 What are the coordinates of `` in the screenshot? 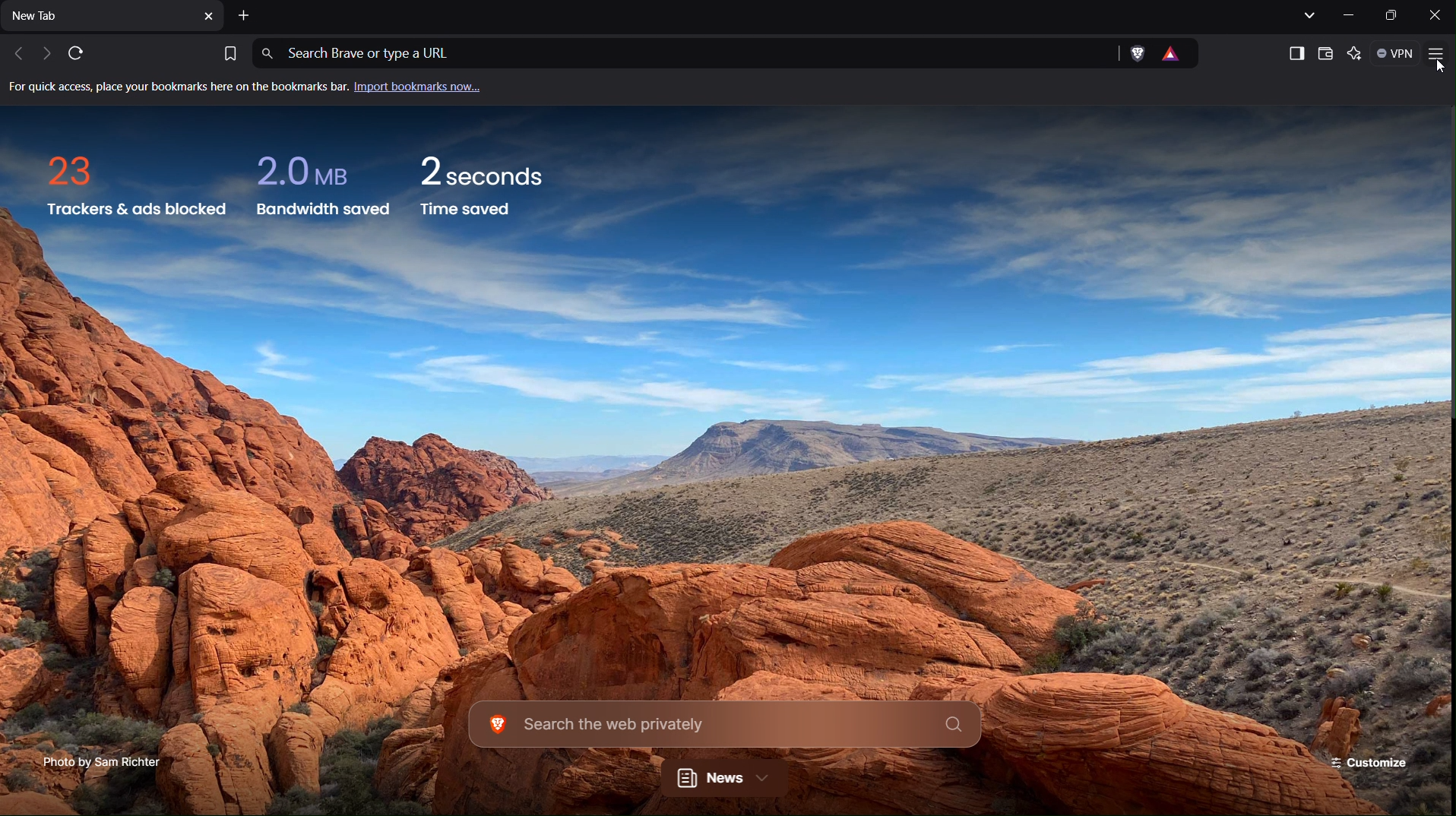 It's located at (1439, 70).